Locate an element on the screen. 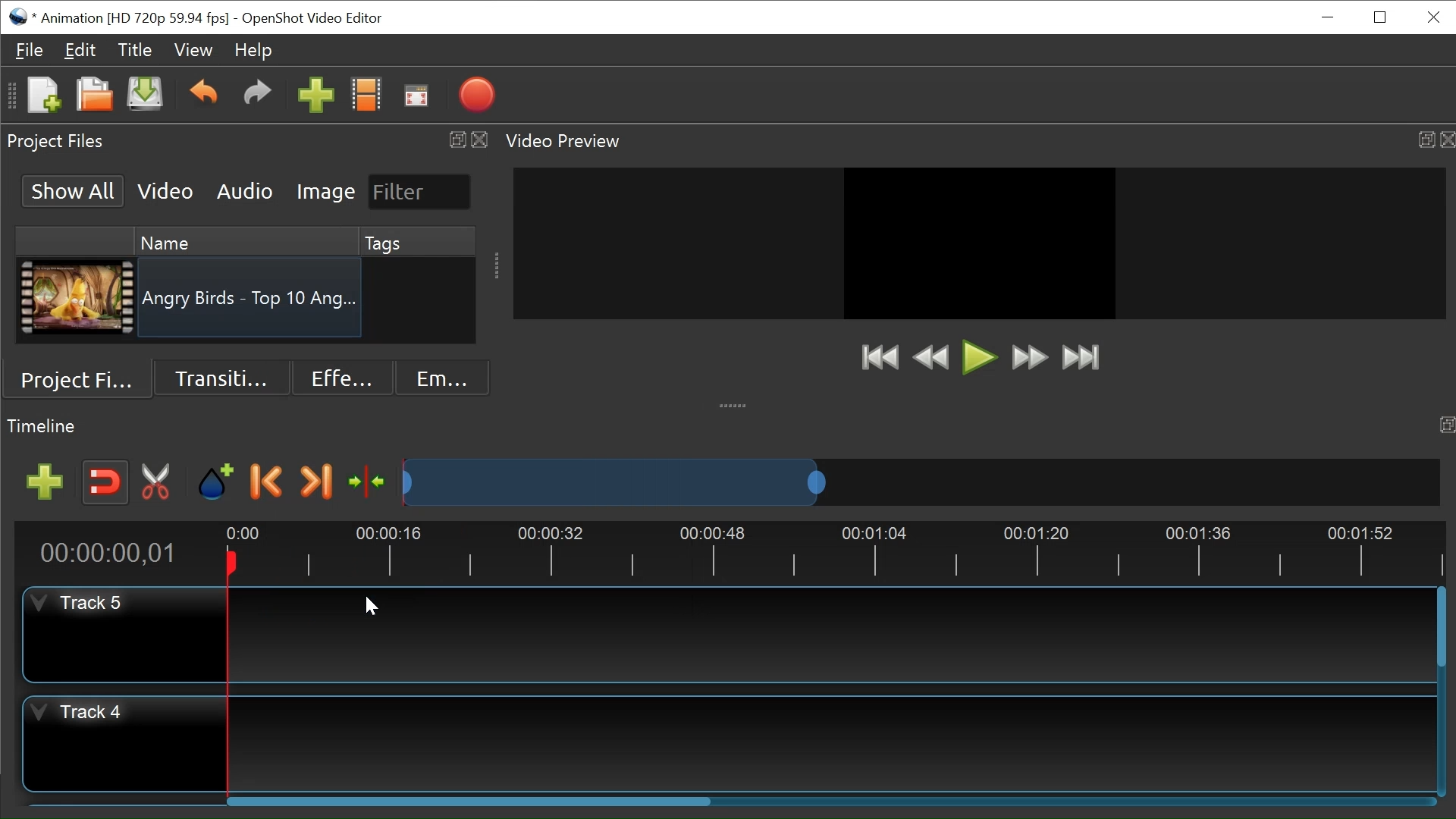 The width and height of the screenshot is (1456, 819). Import Files is located at coordinates (316, 96).